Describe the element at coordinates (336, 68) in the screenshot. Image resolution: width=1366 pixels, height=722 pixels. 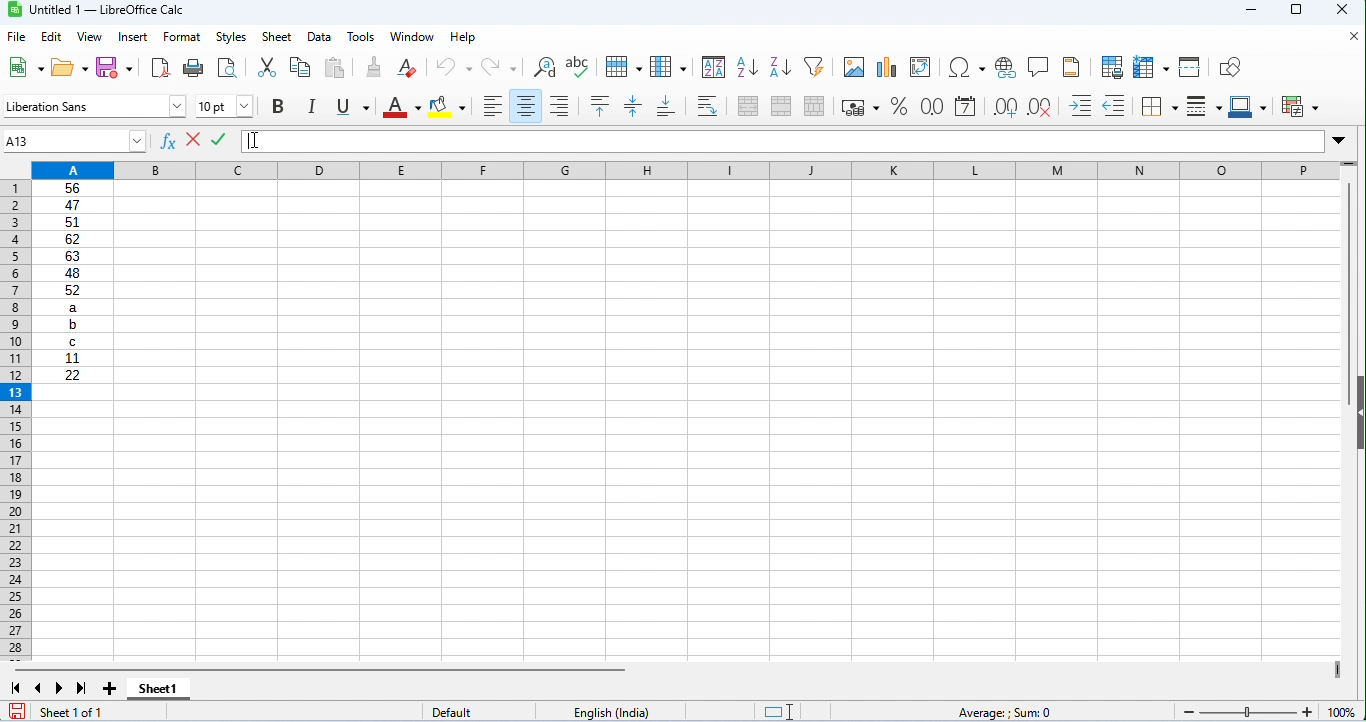
I see `paste` at that location.